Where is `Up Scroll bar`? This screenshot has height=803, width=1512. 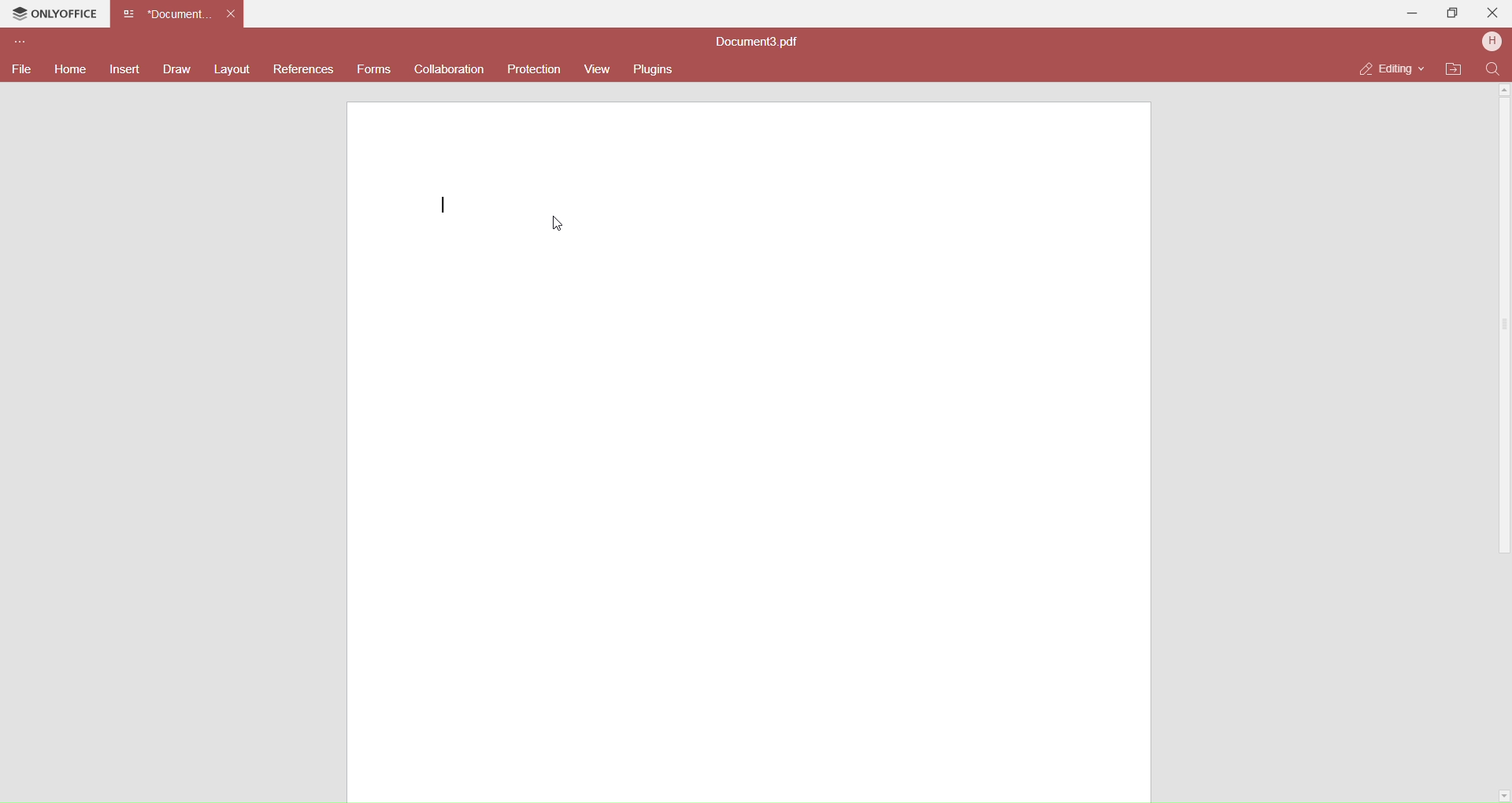
Up Scroll bar is located at coordinates (1499, 90).